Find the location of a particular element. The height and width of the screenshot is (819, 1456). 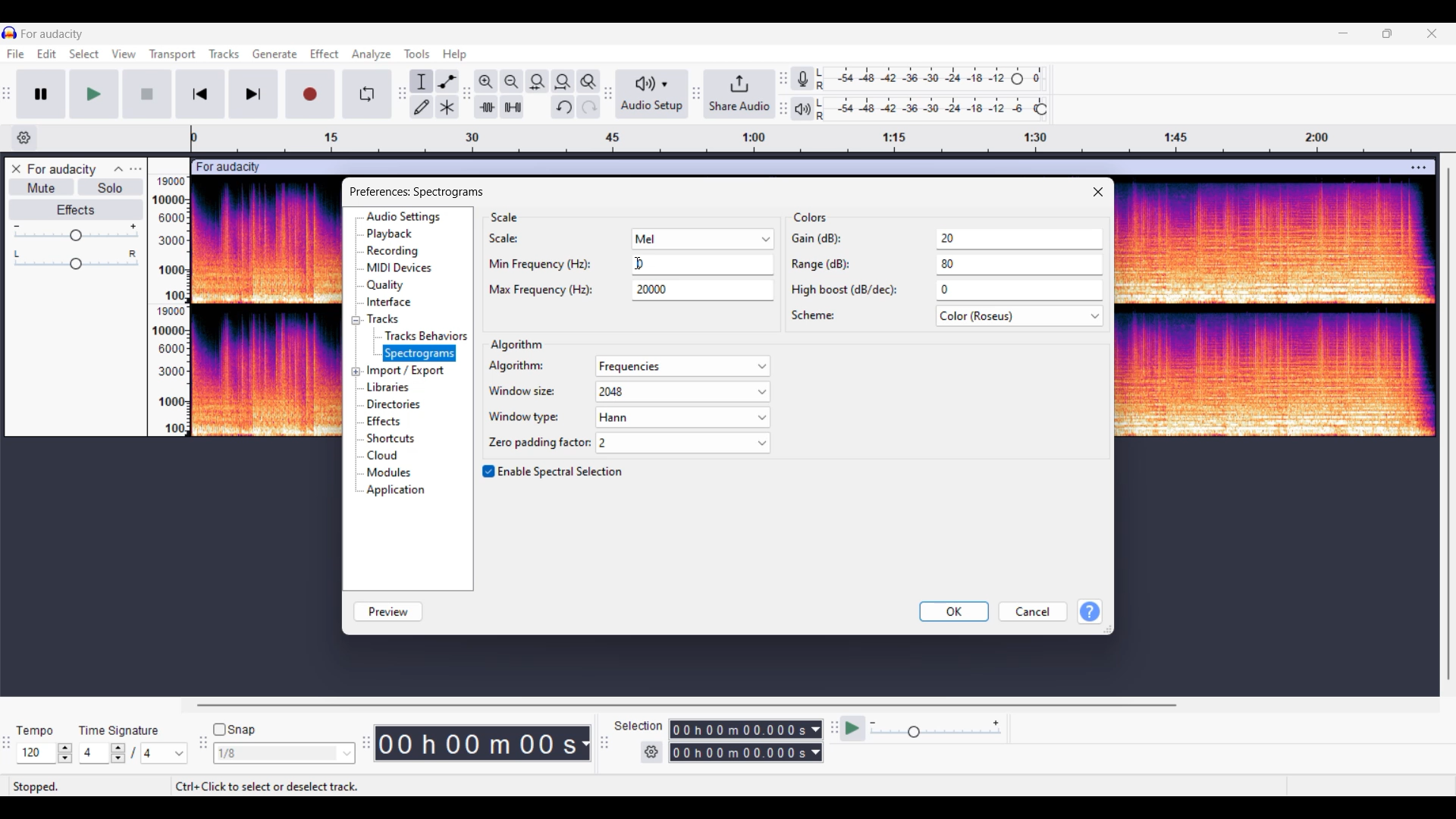

Undo is located at coordinates (563, 107).